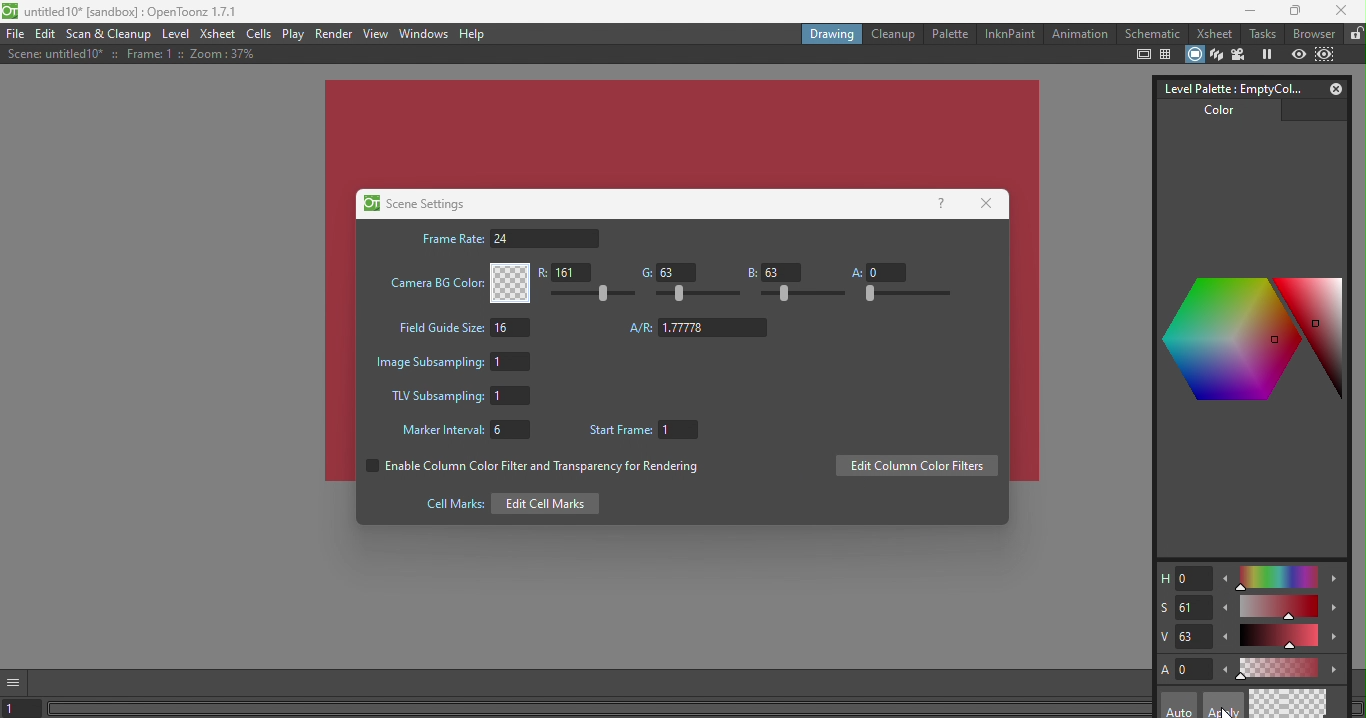  Describe the element at coordinates (949, 33) in the screenshot. I see `Palette` at that location.